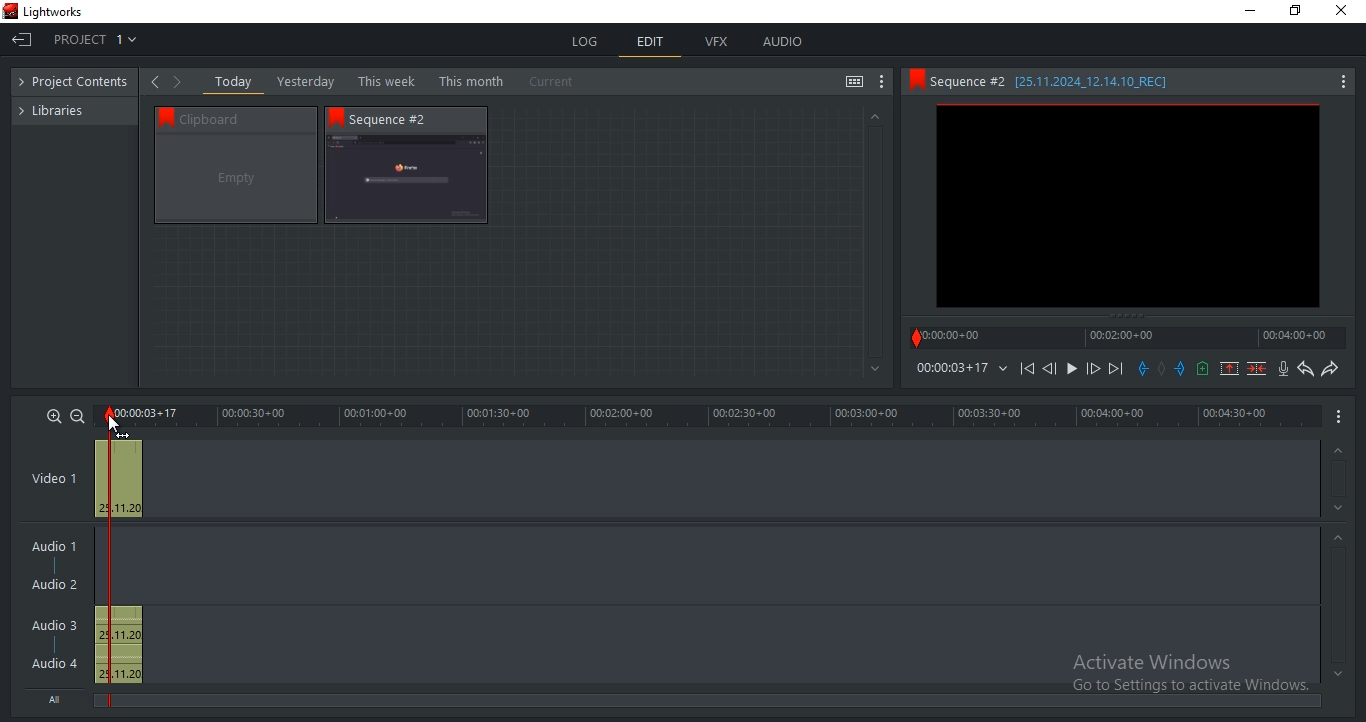  I want to click on Today, yesterday, This week, This month, Current, so click(399, 81).